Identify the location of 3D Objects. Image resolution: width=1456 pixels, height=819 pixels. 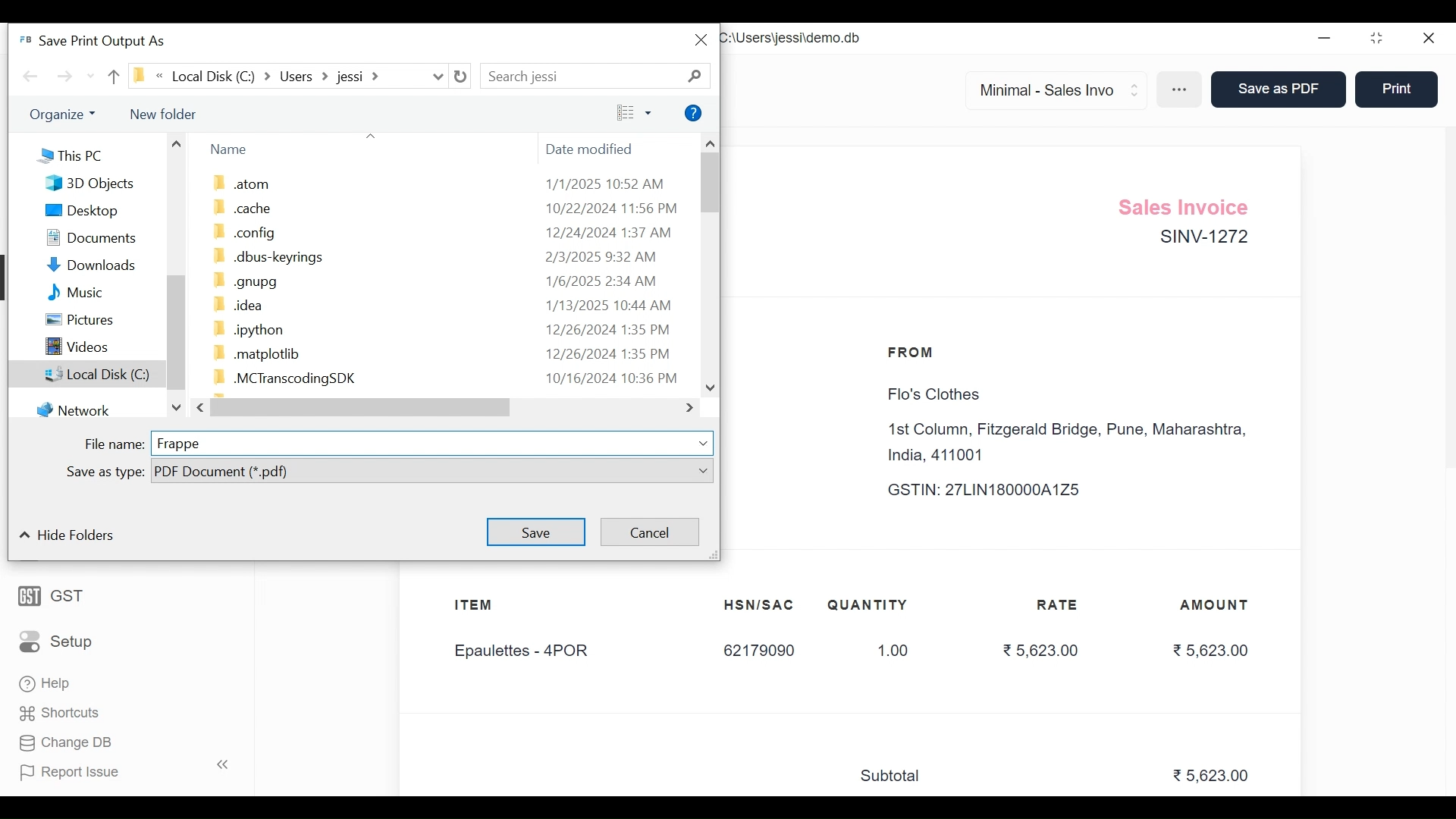
(89, 183).